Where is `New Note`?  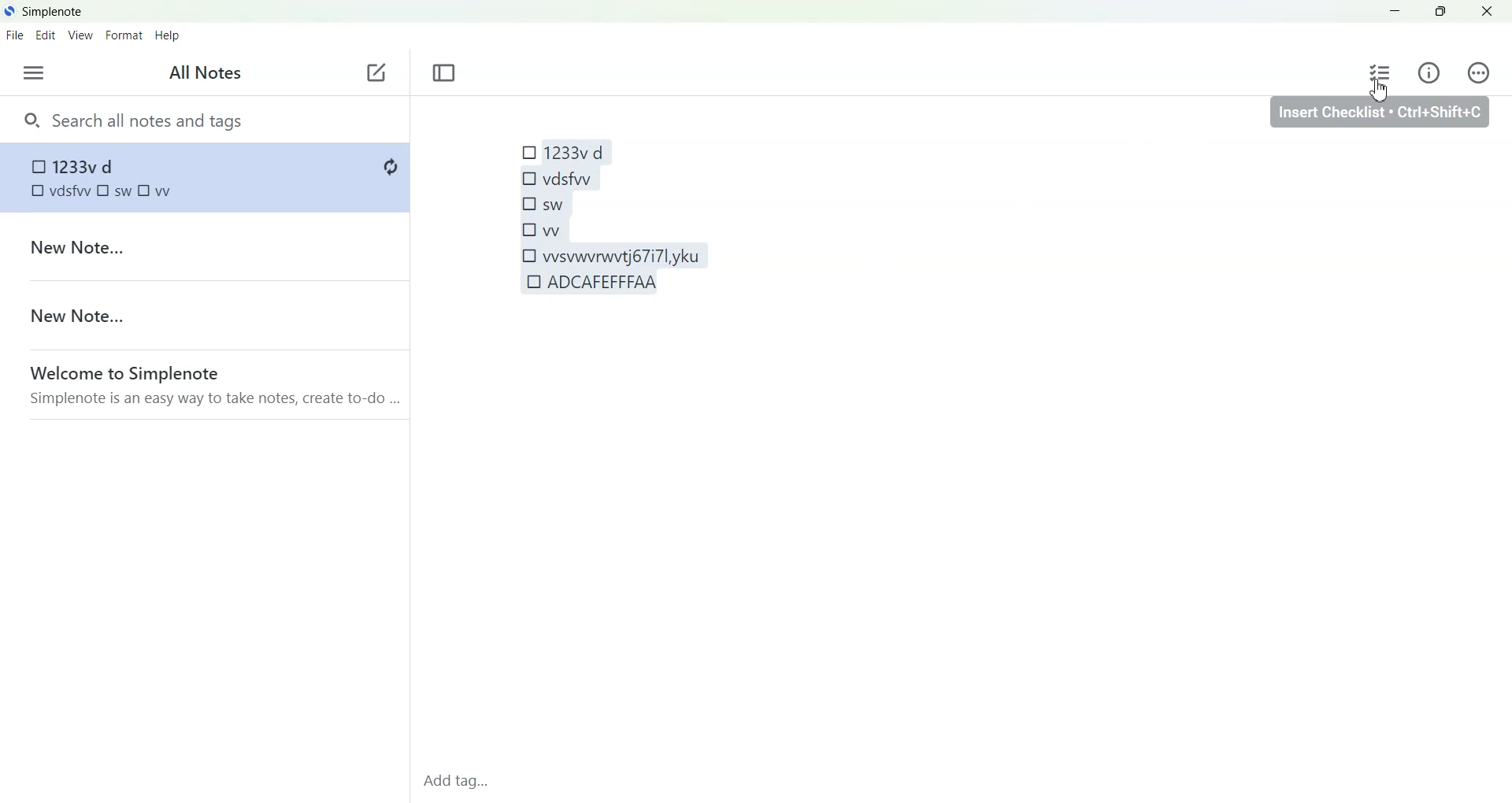 New Note is located at coordinates (204, 315).